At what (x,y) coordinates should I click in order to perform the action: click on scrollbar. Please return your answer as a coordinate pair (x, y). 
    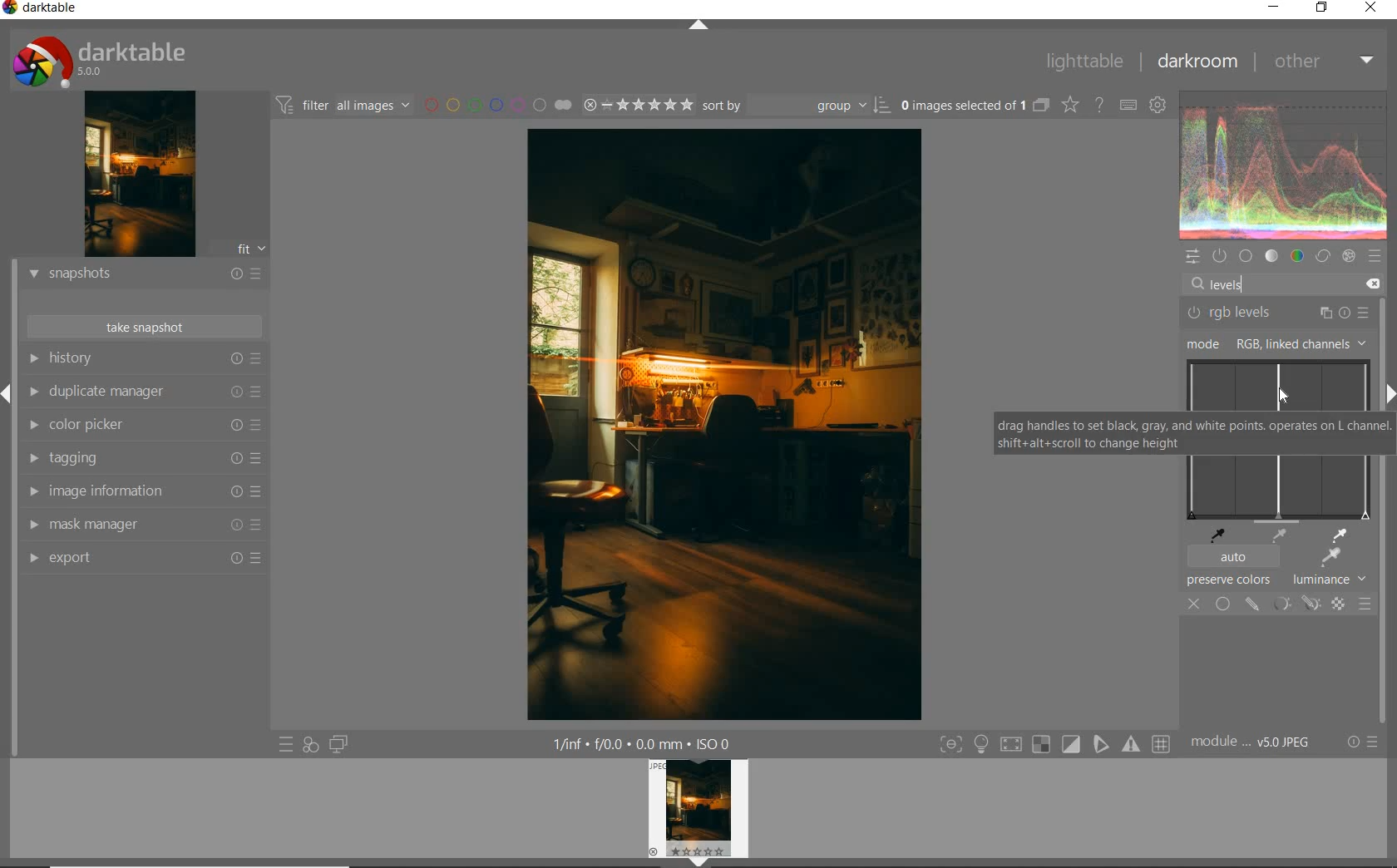
    Looking at the image, I should click on (1382, 451).